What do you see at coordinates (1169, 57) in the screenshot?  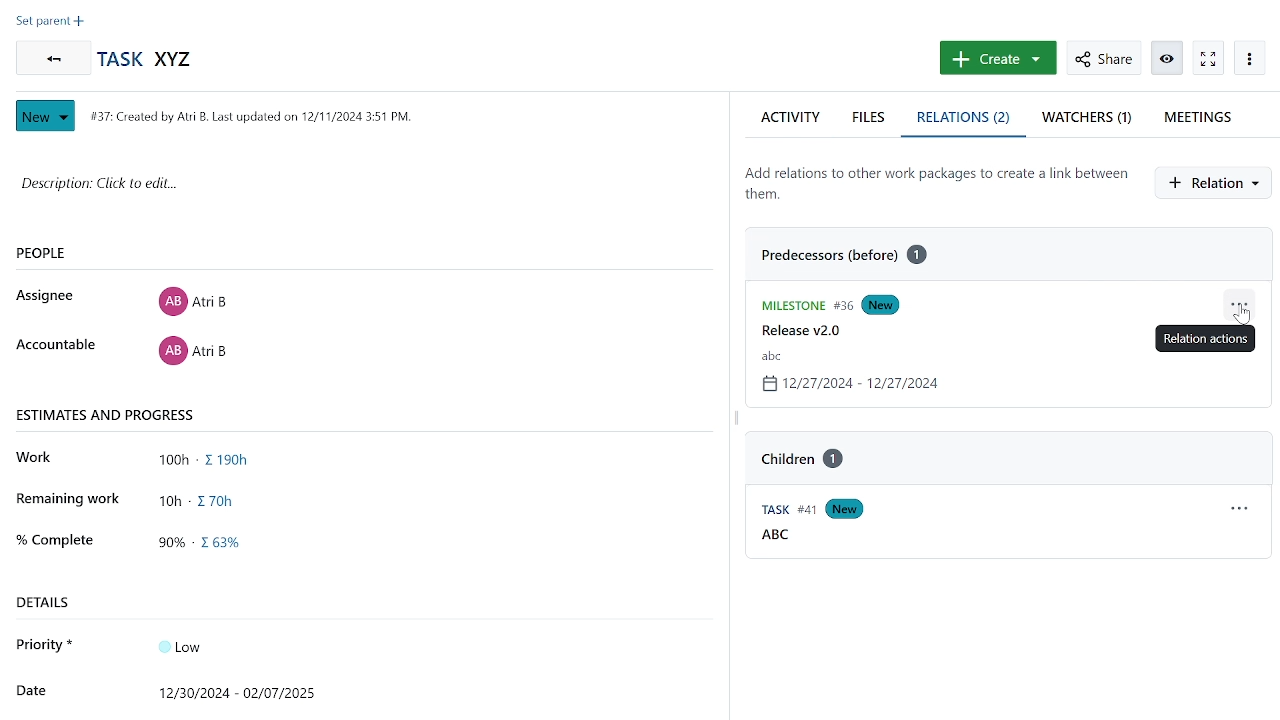 I see `activate zen mode` at bounding box center [1169, 57].